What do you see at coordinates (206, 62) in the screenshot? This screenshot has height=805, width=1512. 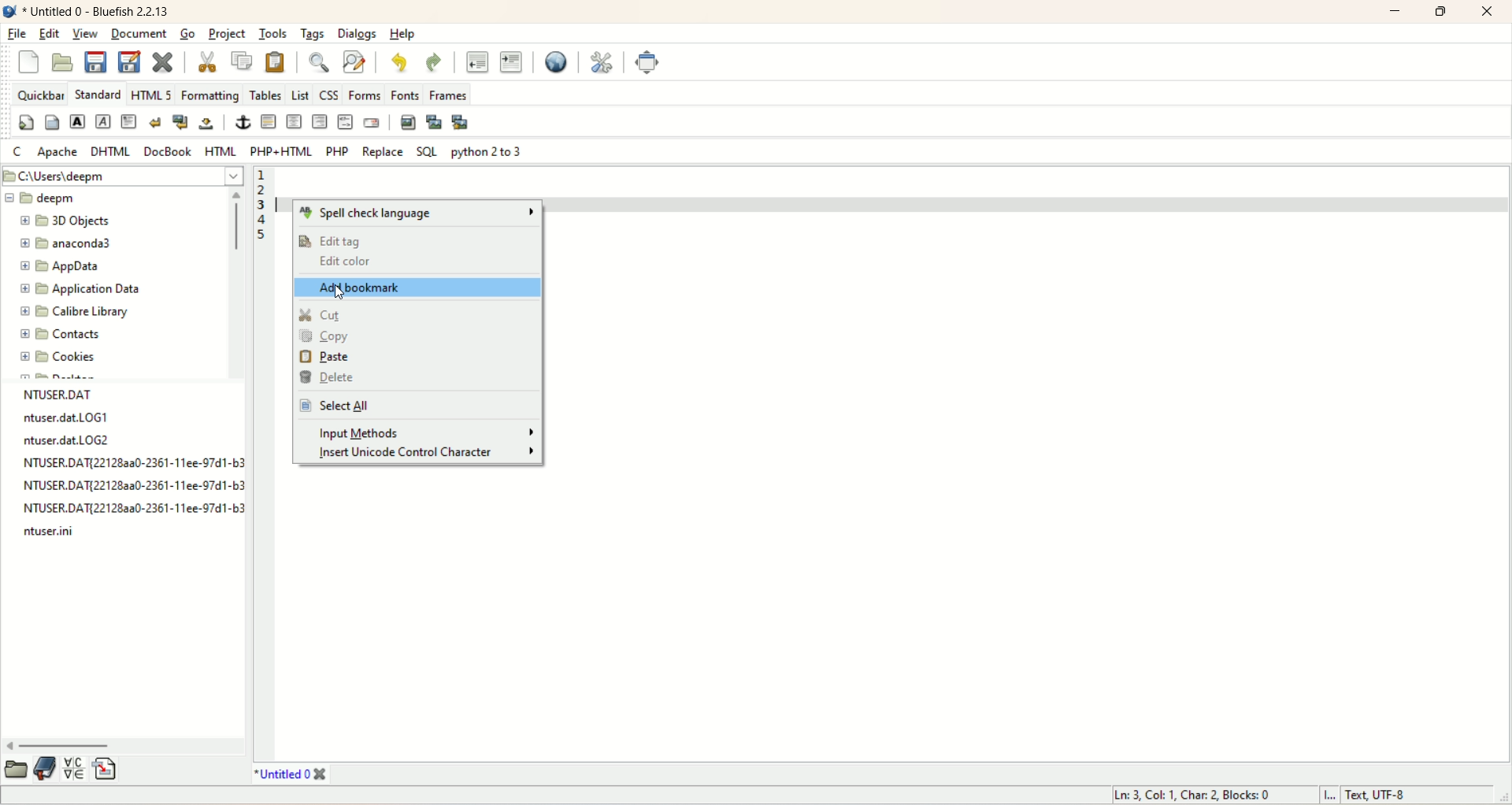 I see `cut` at bounding box center [206, 62].